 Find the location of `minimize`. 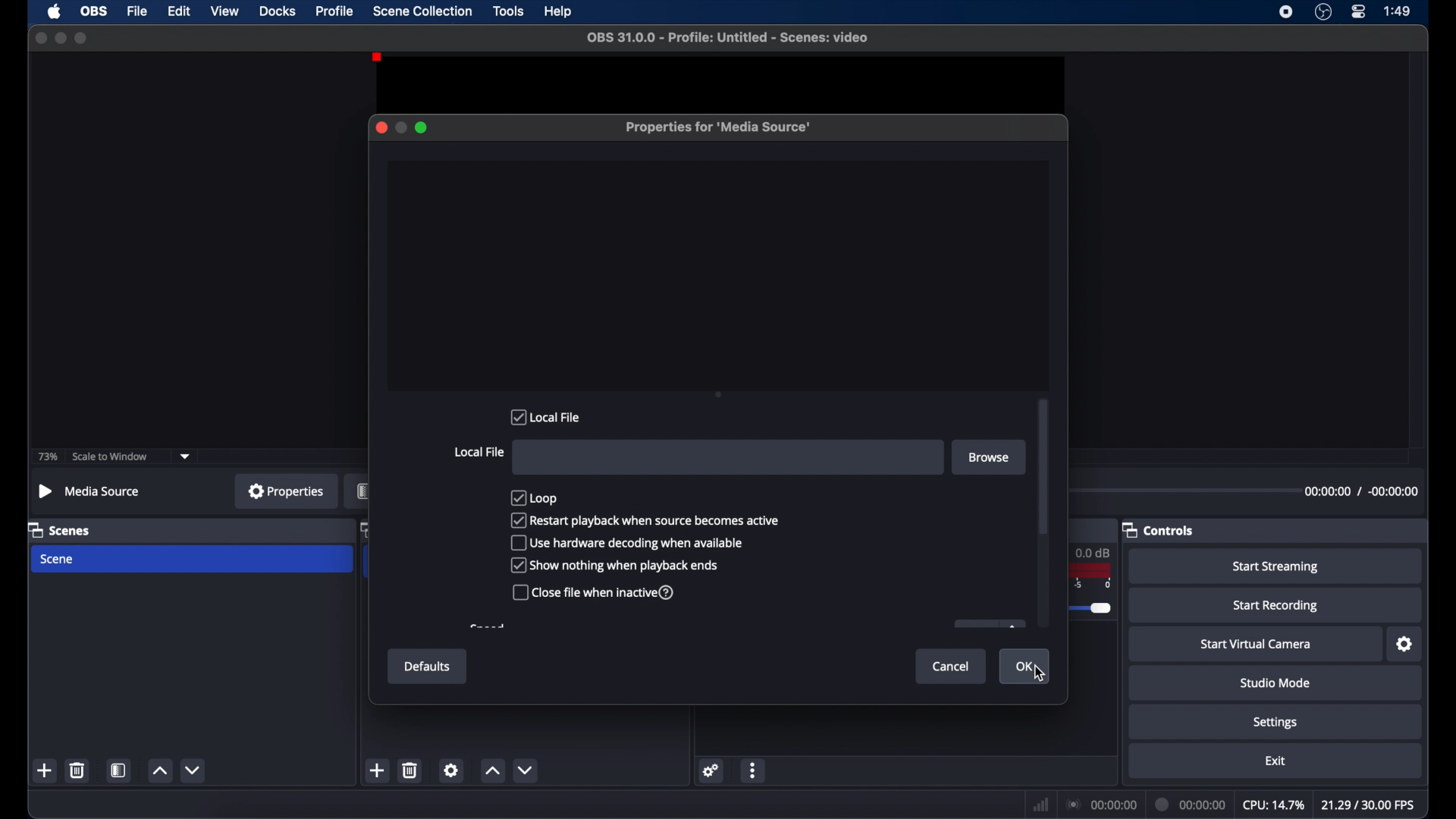

minimize is located at coordinates (61, 38).